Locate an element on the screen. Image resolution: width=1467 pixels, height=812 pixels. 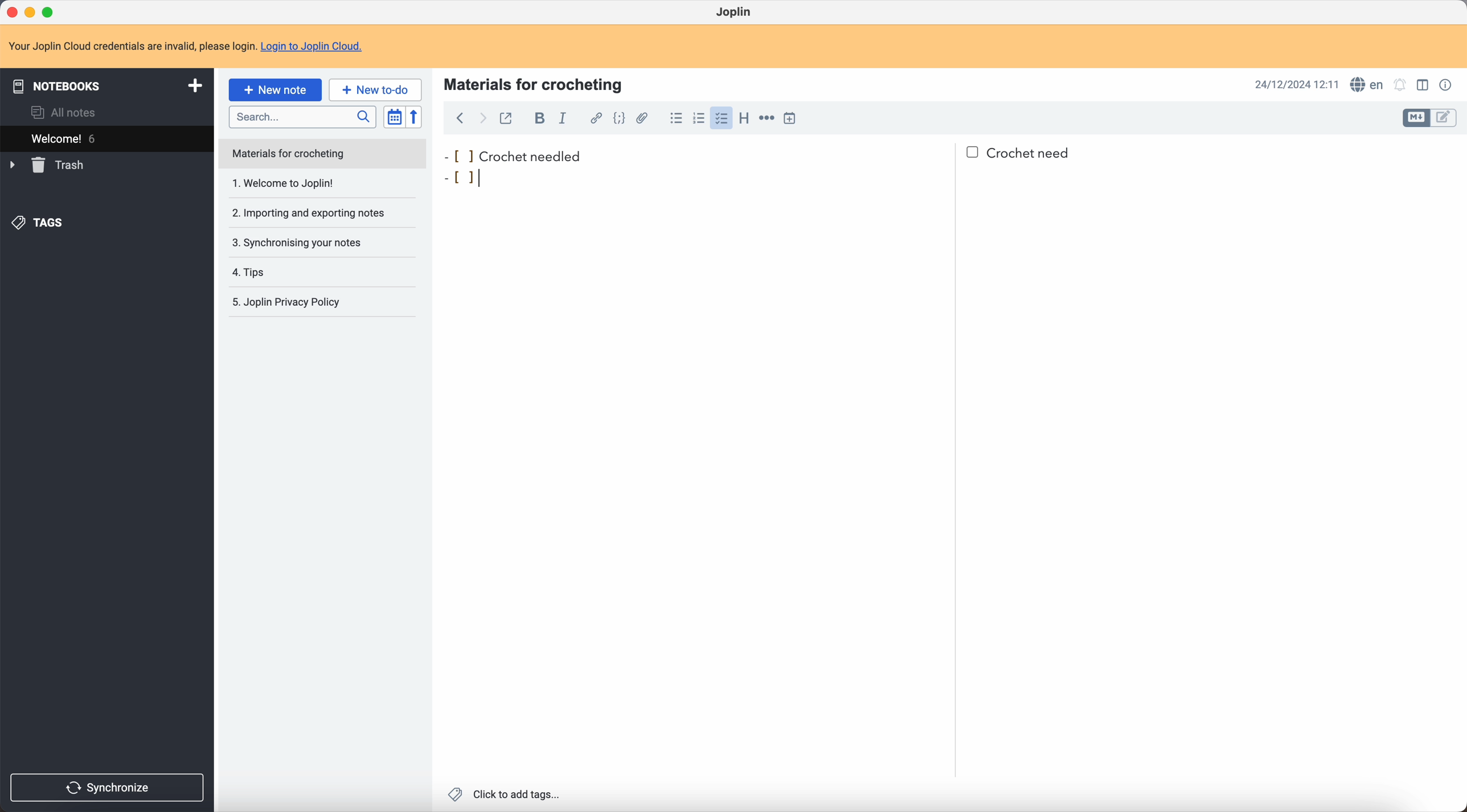
click on checklist is located at coordinates (719, 118).